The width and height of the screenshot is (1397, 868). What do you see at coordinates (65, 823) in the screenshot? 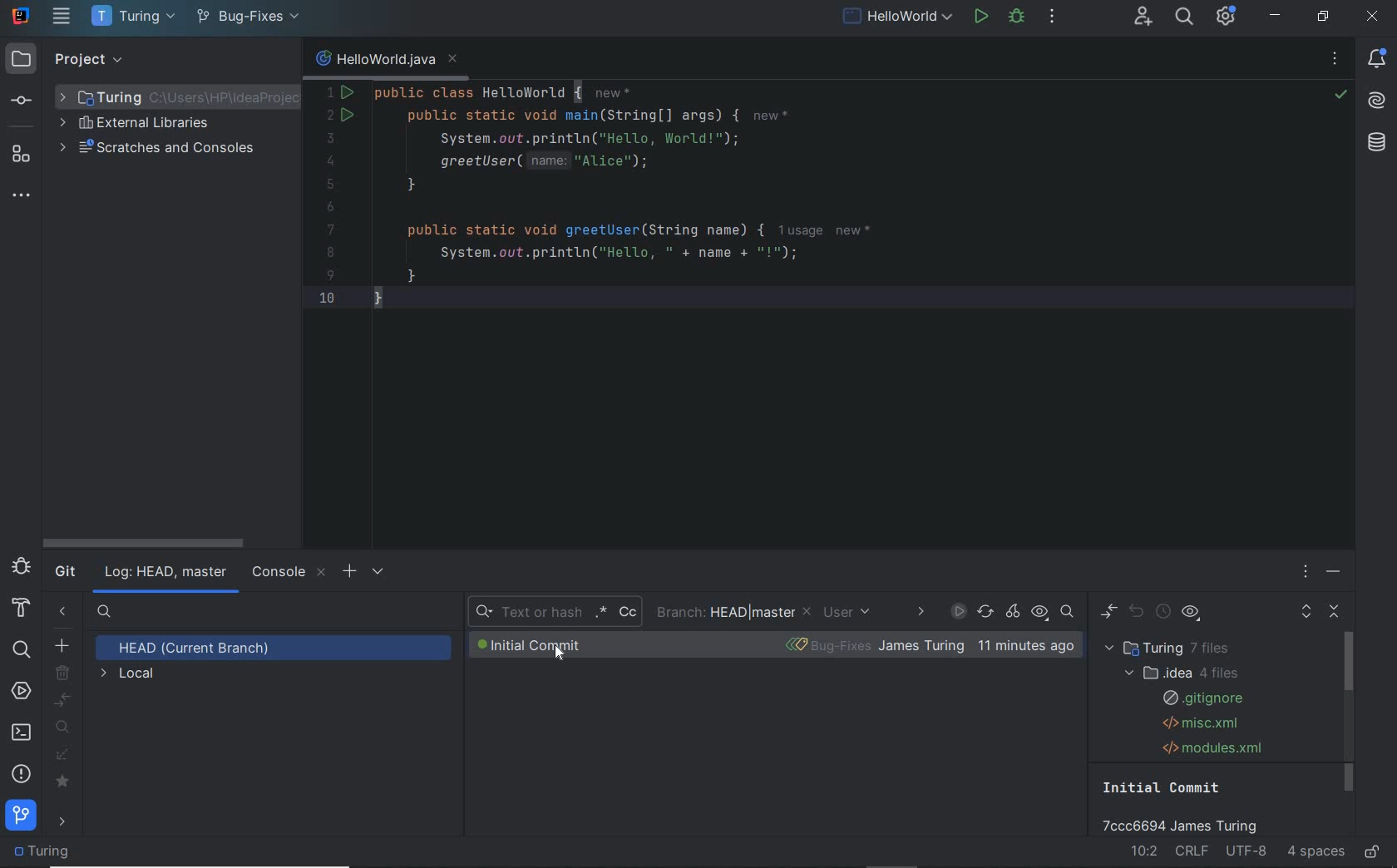
I see `navigate` at bounding box center [65, 823].